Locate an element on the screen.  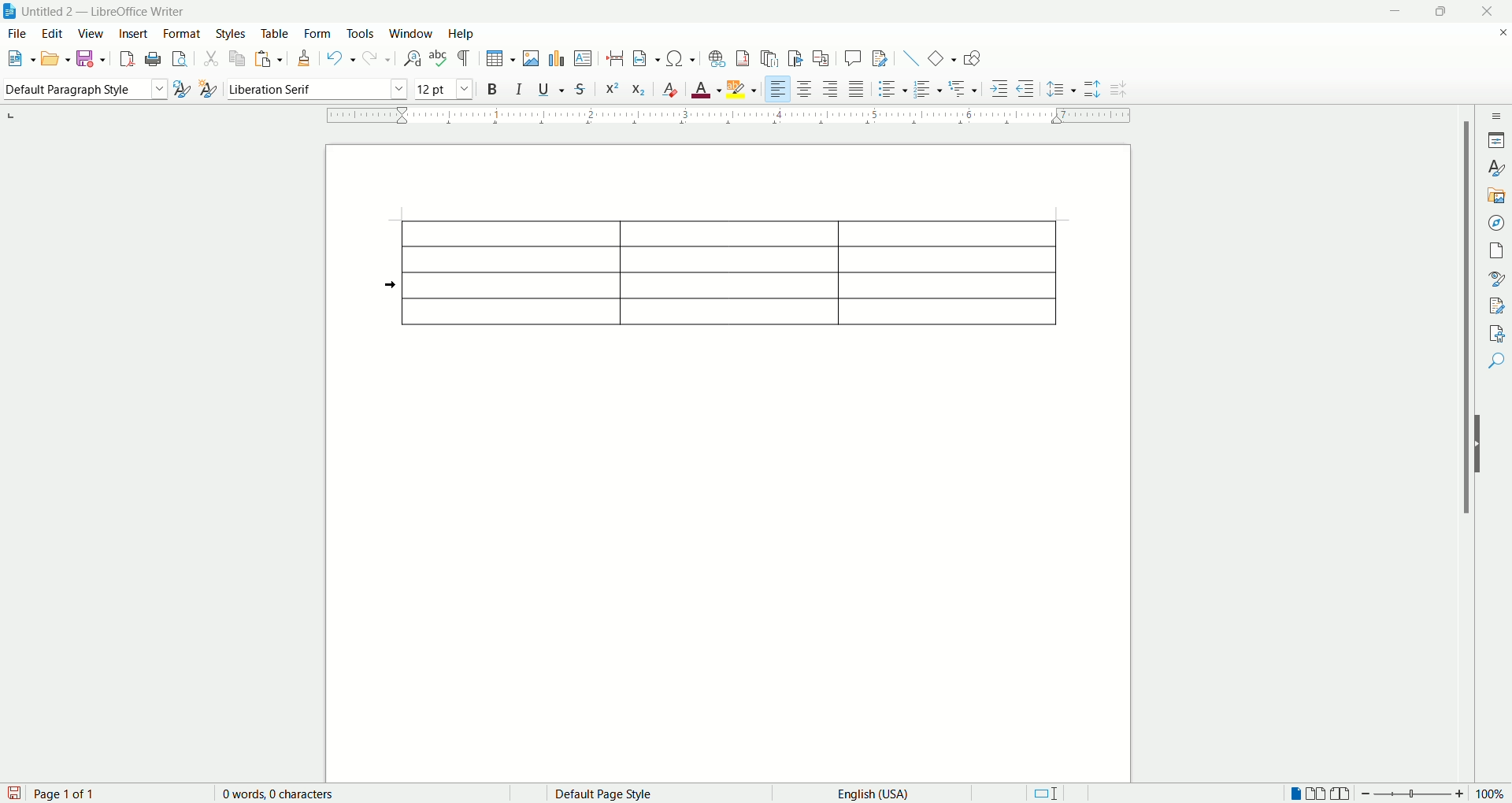
undo is located at coordinates (342, 58).